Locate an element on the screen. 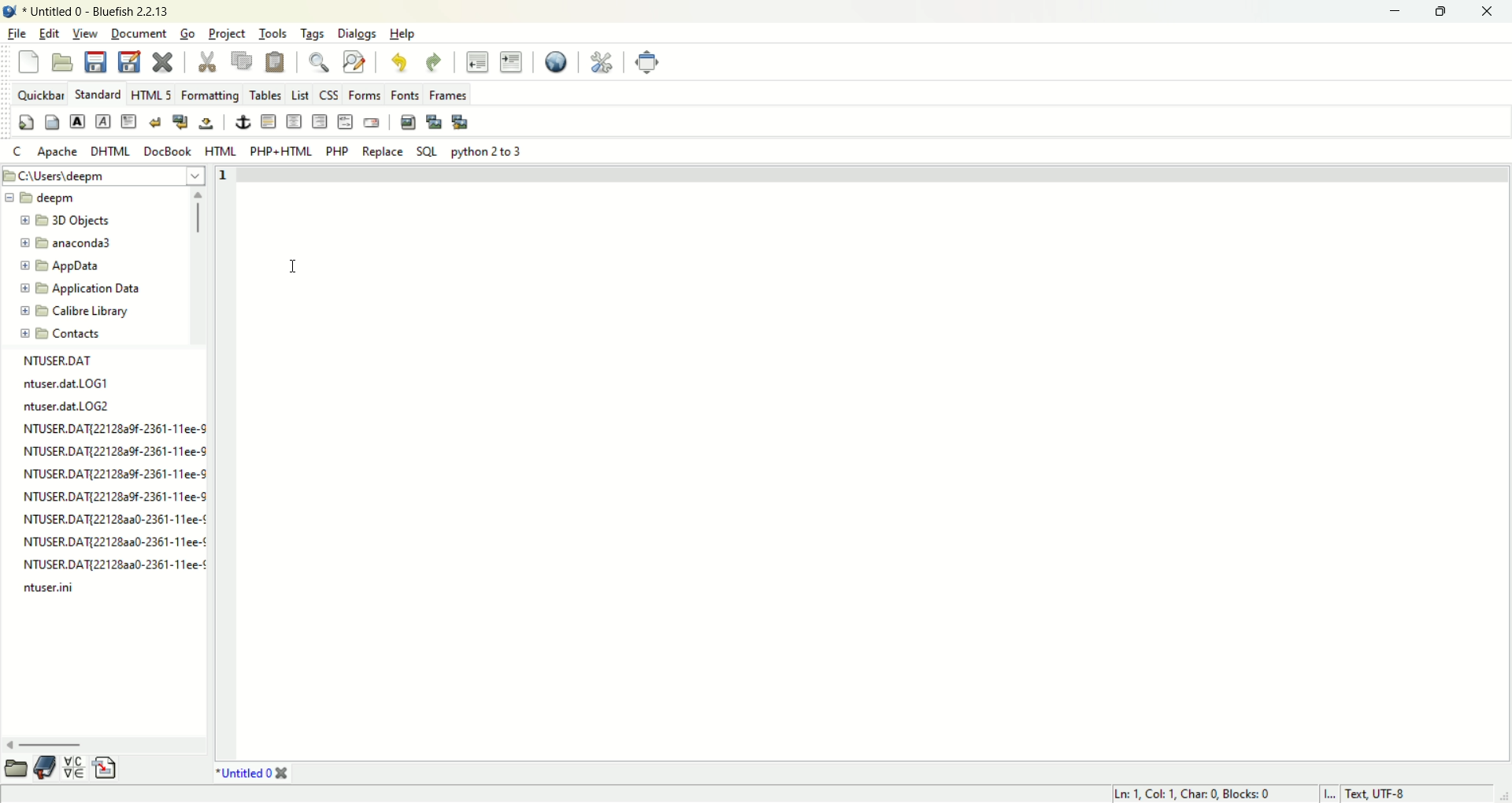 The width and height of the screenshot is (1512, 803). fonts is located at coordinates (402, 96).